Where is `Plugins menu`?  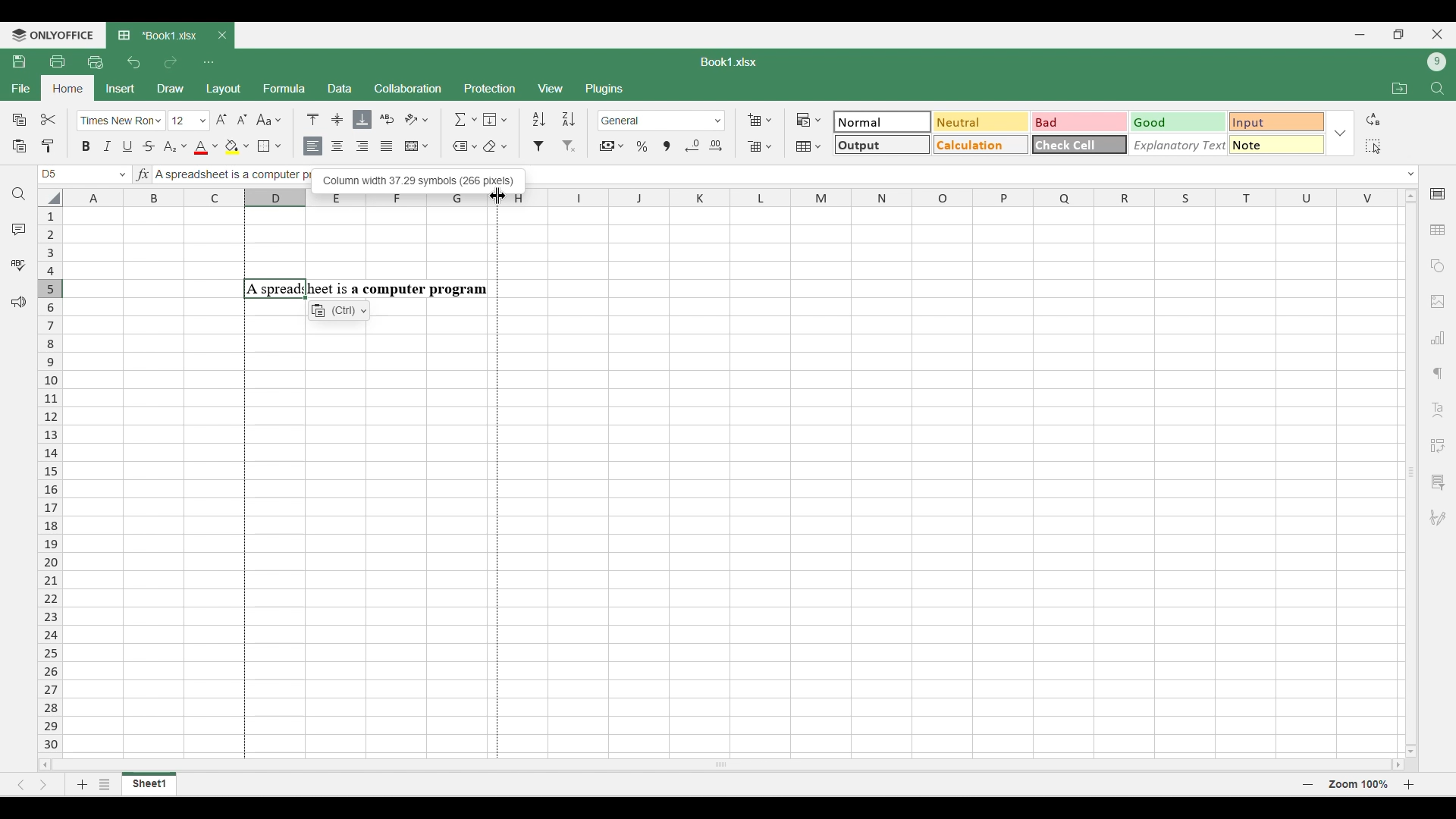 Plugins menu is located at coordinates (606, 89).